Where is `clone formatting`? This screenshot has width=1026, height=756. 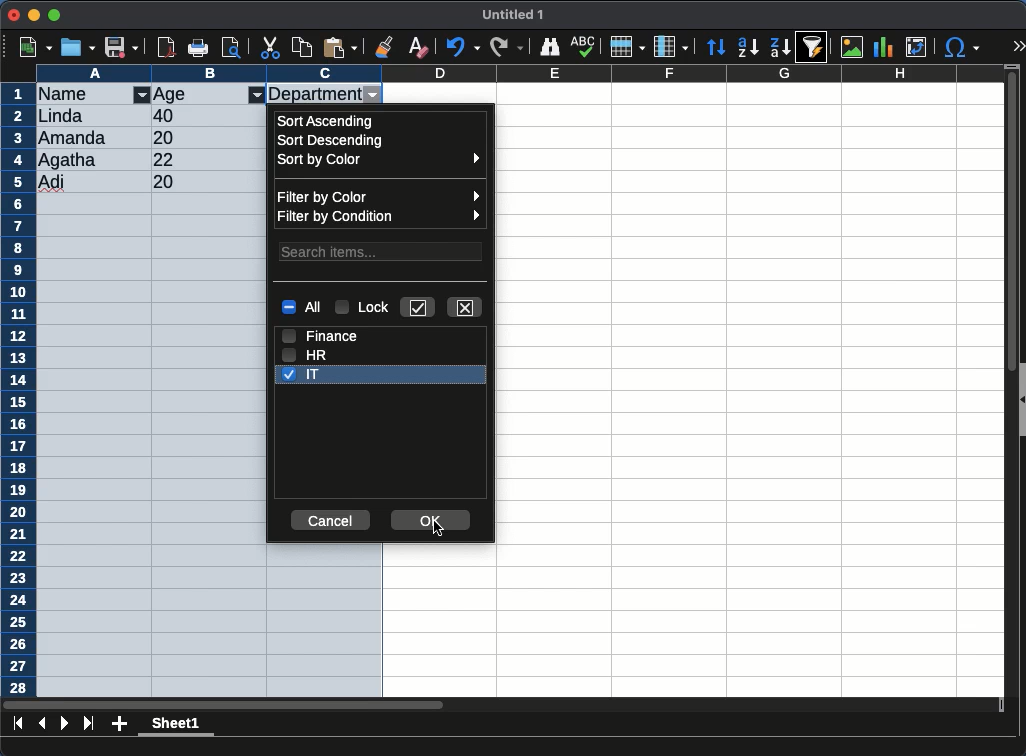
clone formatting is located at coordinates (386, 46).